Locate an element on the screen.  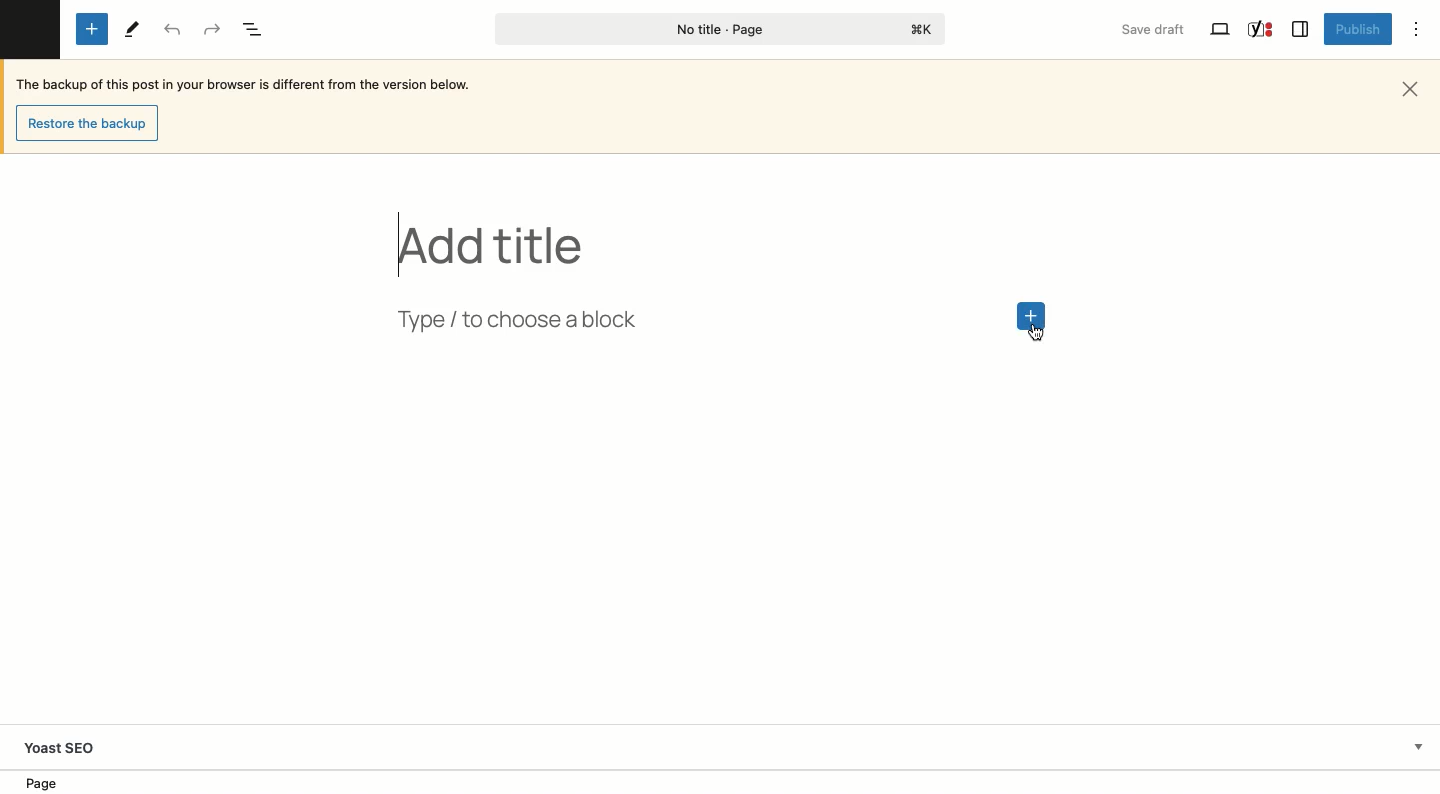
Options  is located at coordinates (1417, 31).